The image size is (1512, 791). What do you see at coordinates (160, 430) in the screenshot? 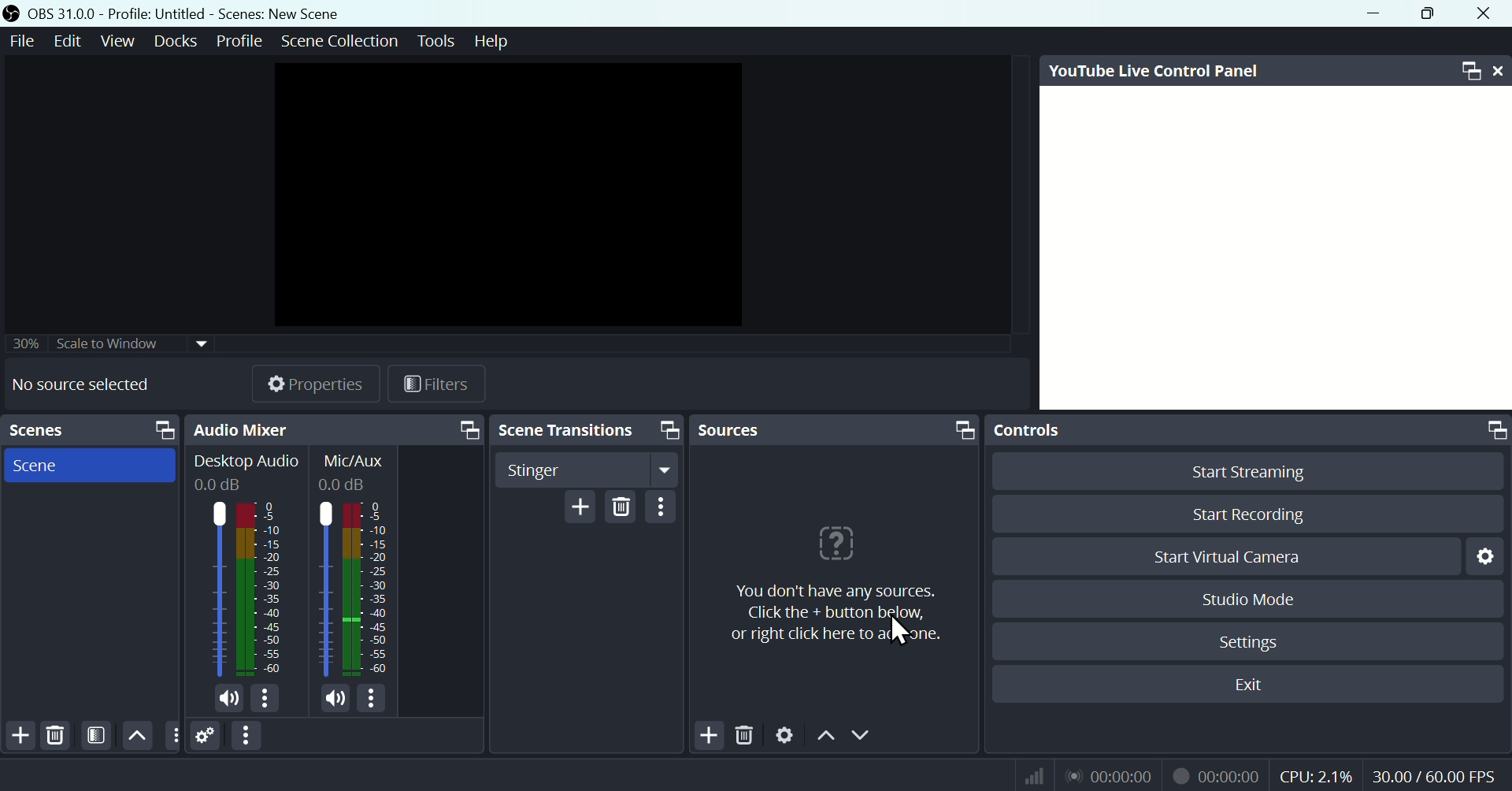
I see `screen resize` at bounding box center [160, 430].